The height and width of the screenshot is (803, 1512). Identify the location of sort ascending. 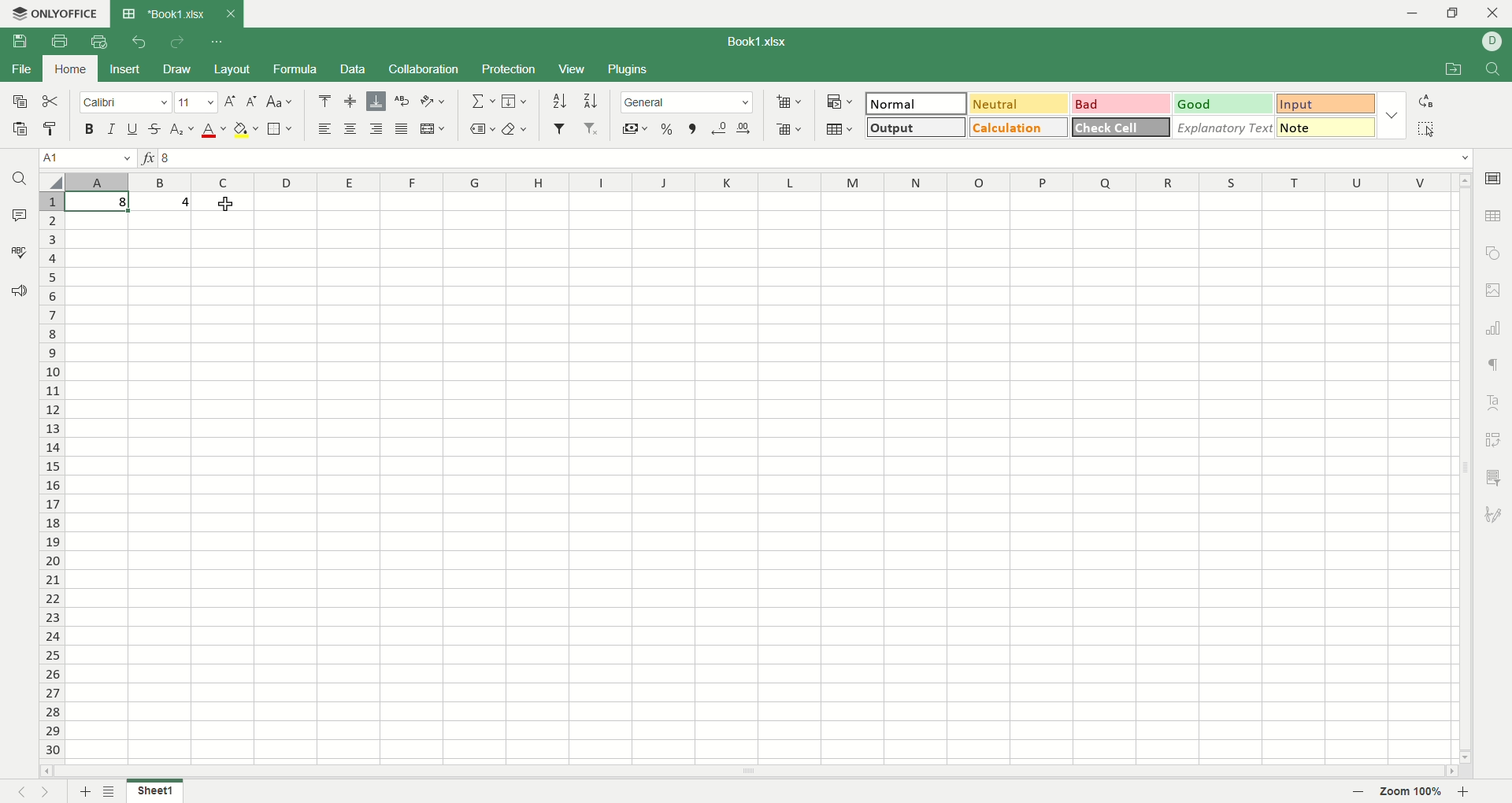
(561, 101).